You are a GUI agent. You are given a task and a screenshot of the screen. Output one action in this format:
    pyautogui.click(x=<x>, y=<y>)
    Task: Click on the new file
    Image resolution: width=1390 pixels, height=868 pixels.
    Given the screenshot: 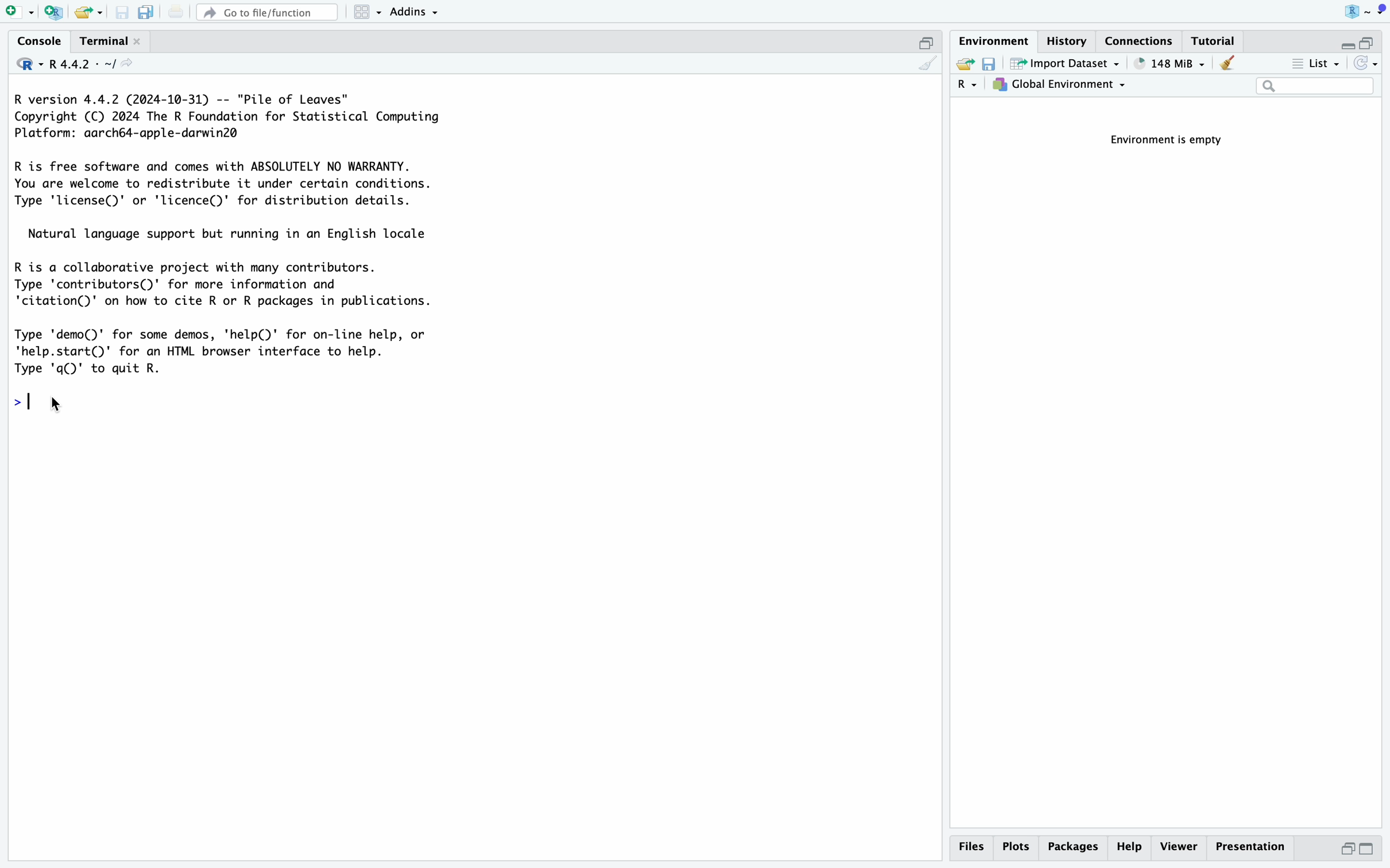 What is the action you would take?
    pyautogui.click(x=17, y=11)
    